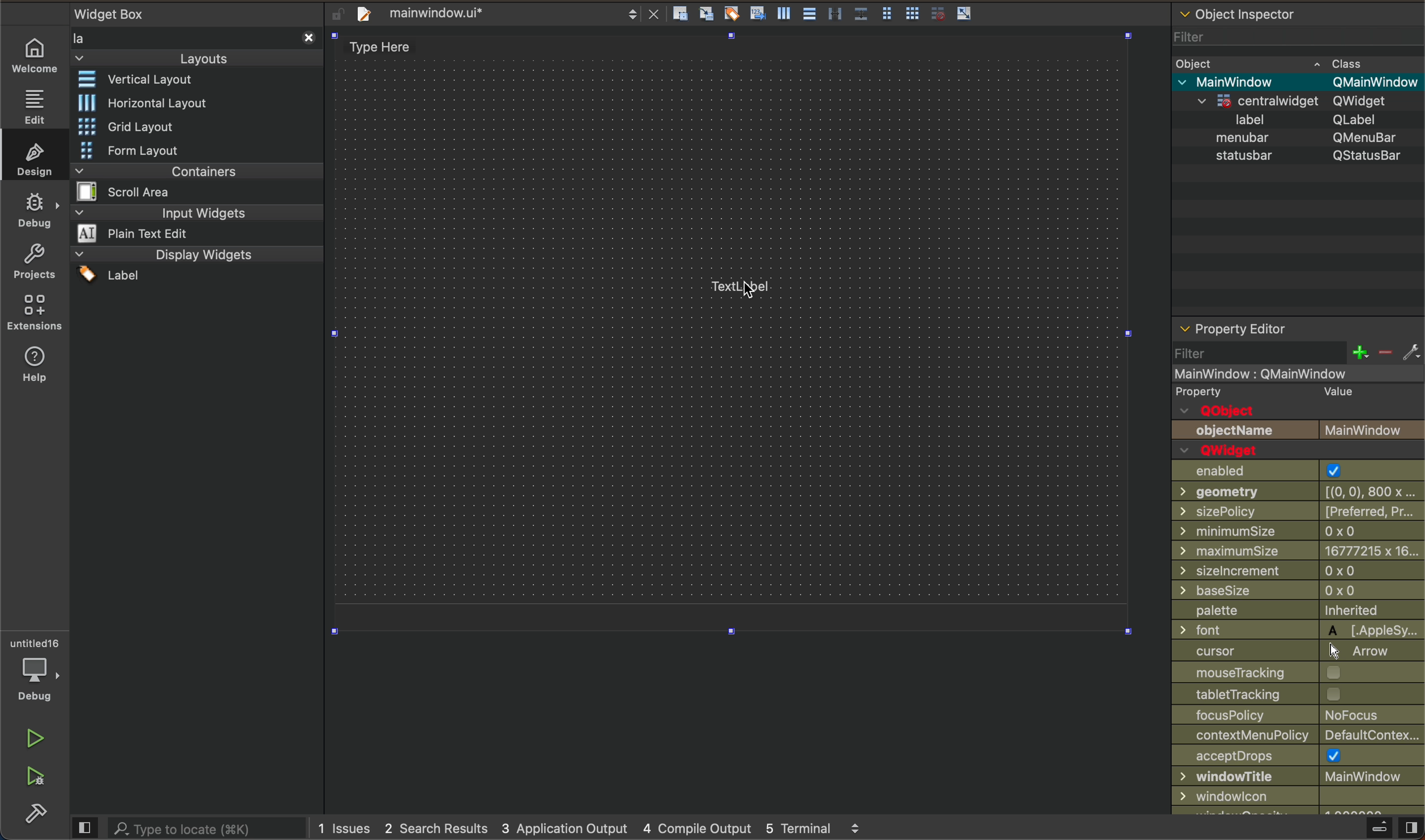 The image size is (1425, 840). Describe the element at coordinates (1299, 409) in the screenshot. I see `Qobject` at that location.